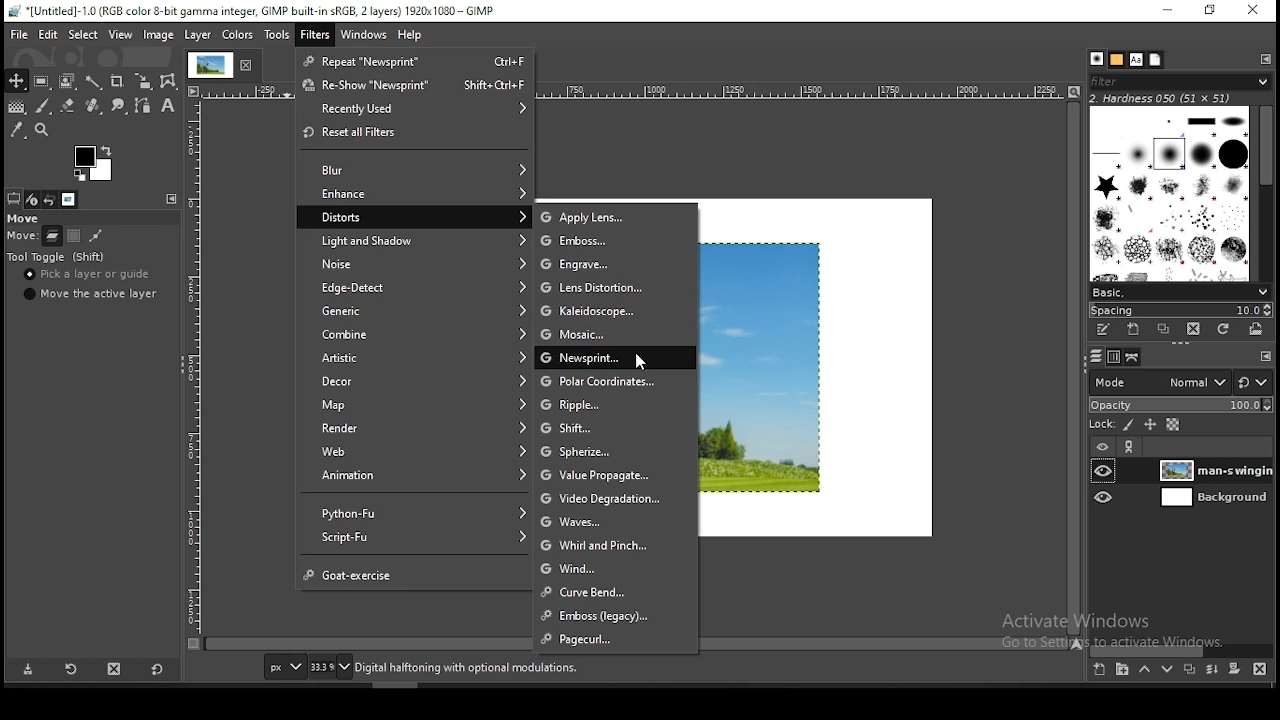  I want to click on create a new layer group, so click(1123, 669).